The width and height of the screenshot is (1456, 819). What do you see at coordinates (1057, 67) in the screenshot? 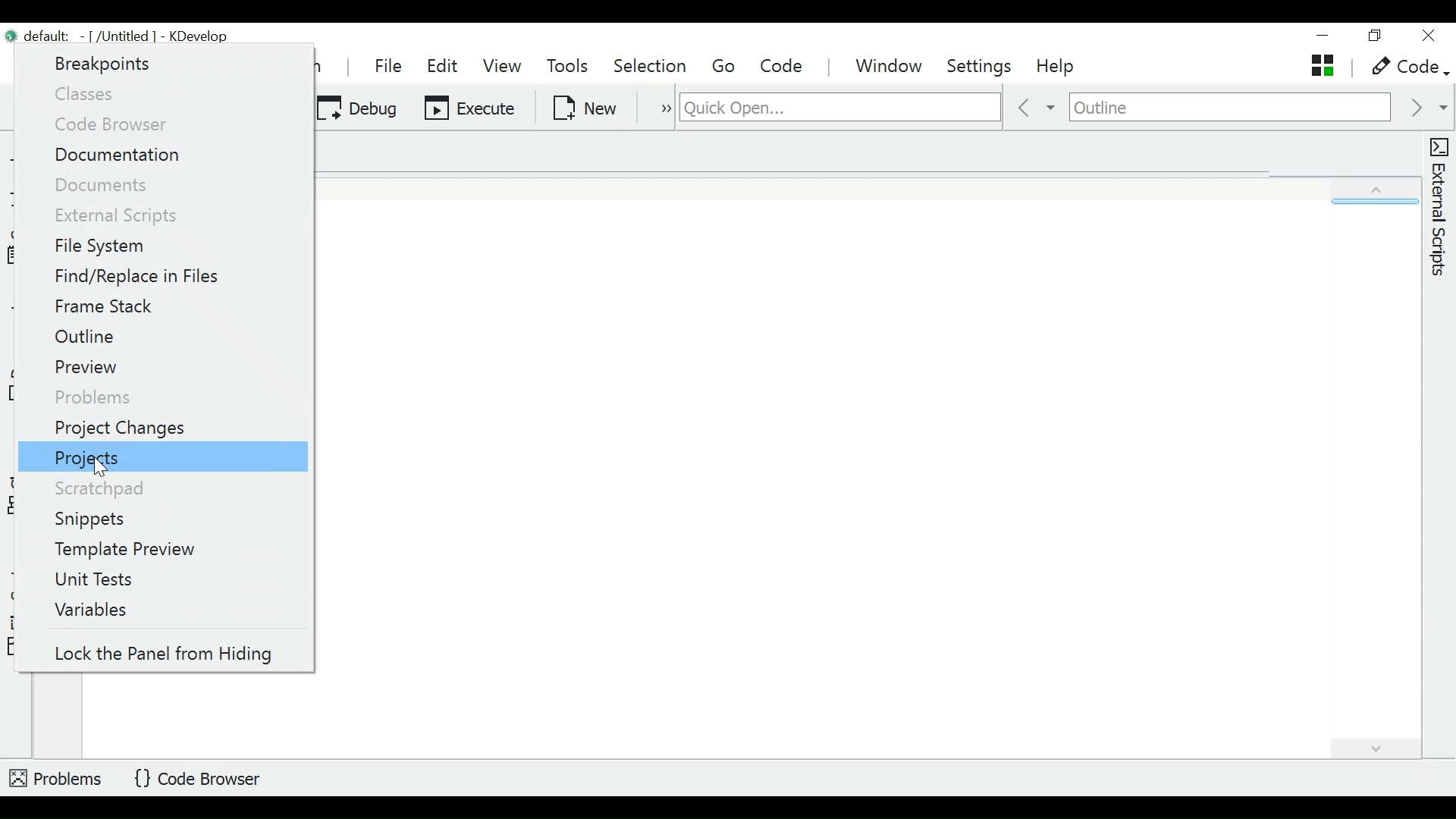
I see `Help` at bounding box center [1057, 67].